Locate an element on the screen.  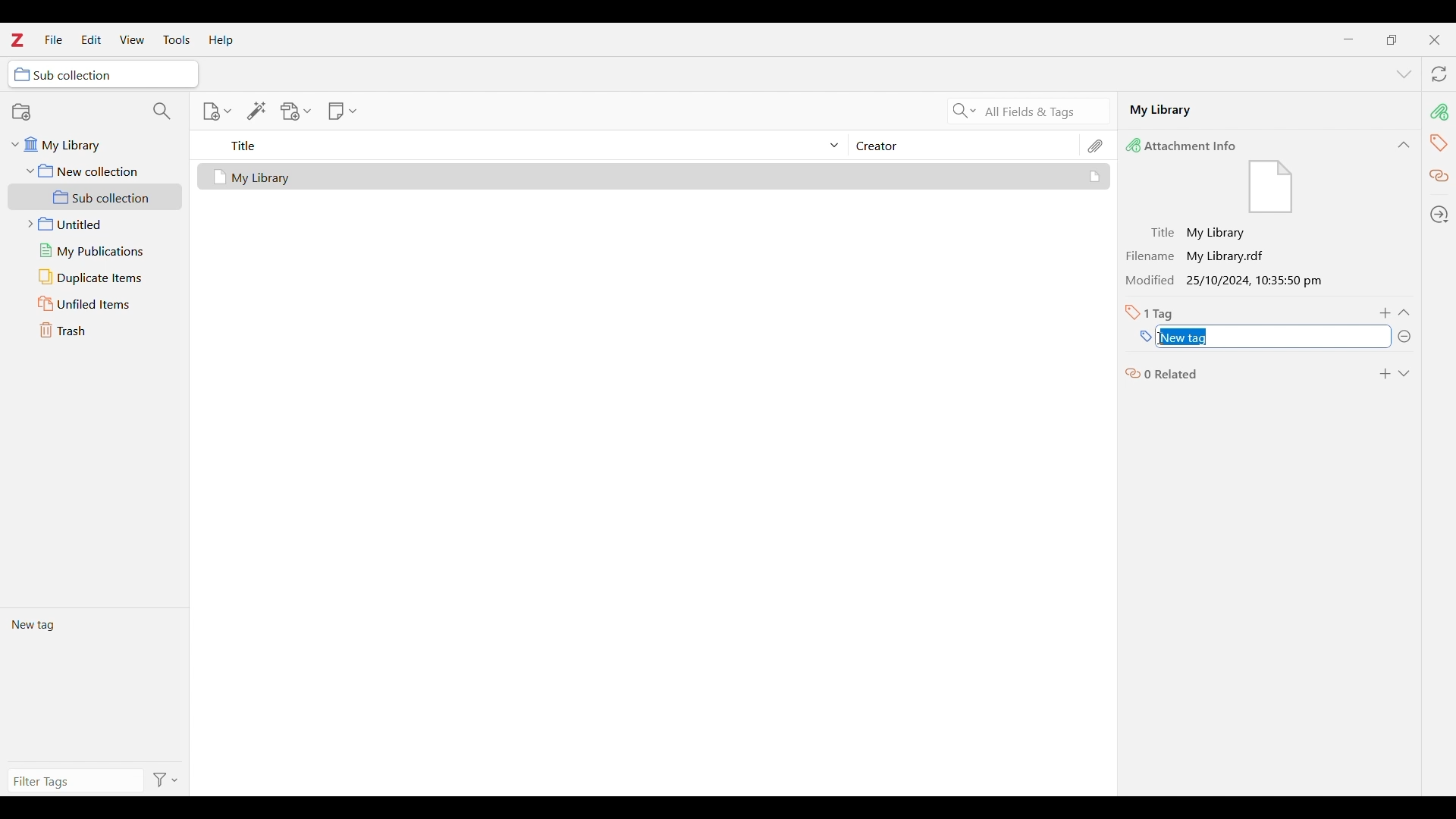
All fields and tags search criteria selected is located at coordinates (1043, 112).